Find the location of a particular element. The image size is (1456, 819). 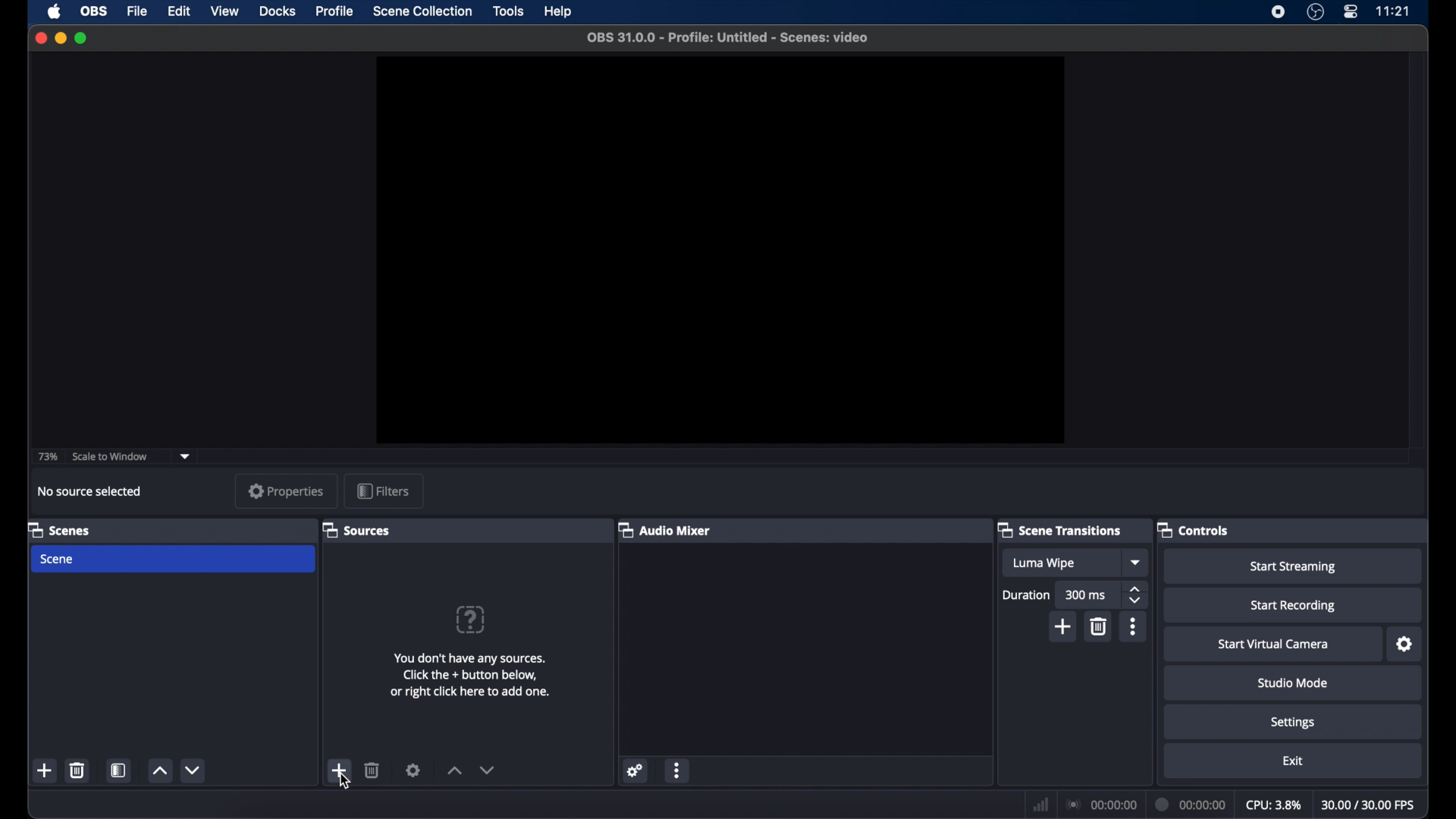

duration is located at coordinates (1191, 805).